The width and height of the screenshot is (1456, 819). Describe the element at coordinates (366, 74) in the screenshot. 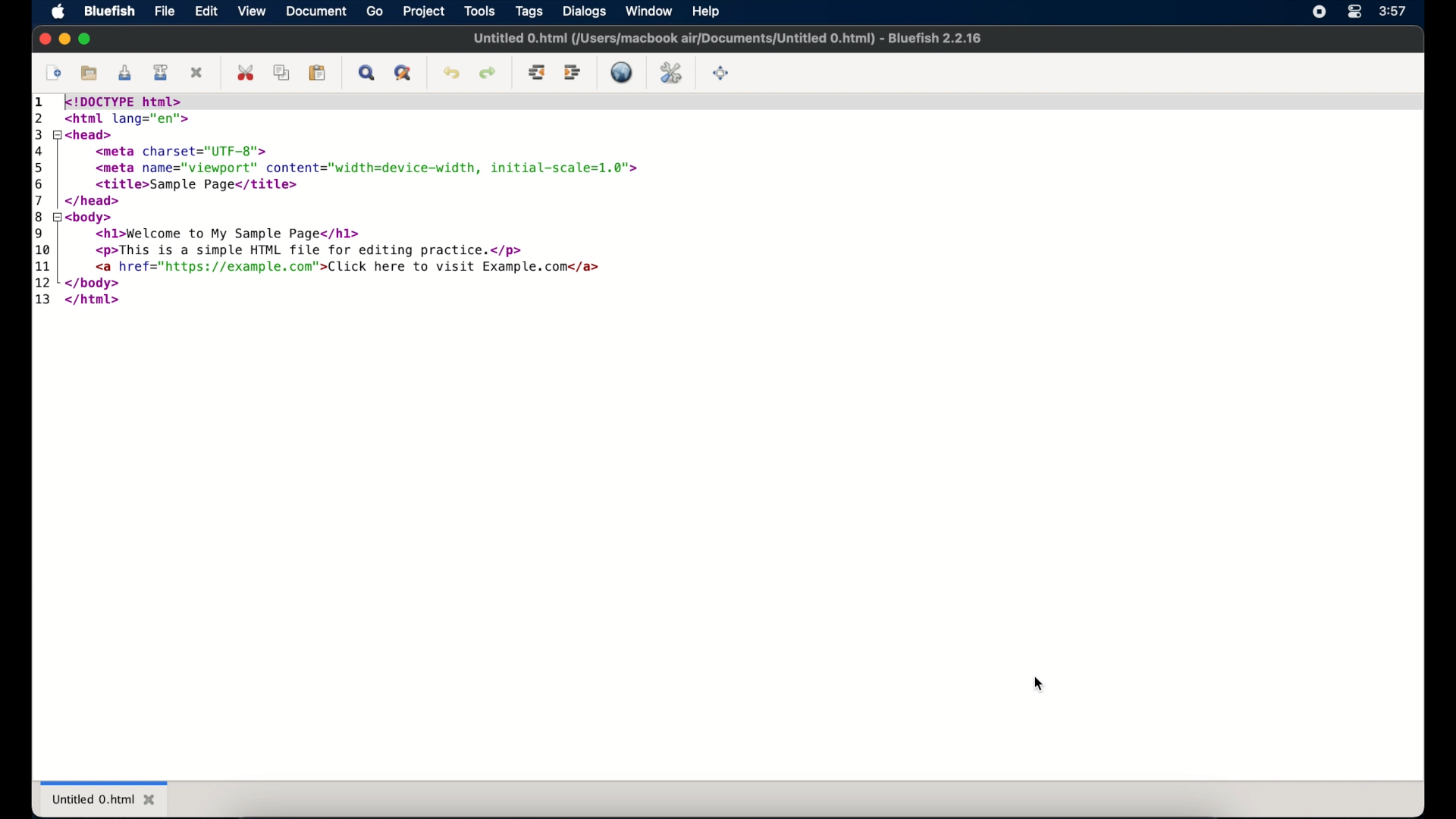

I see `show find bar` at that location.